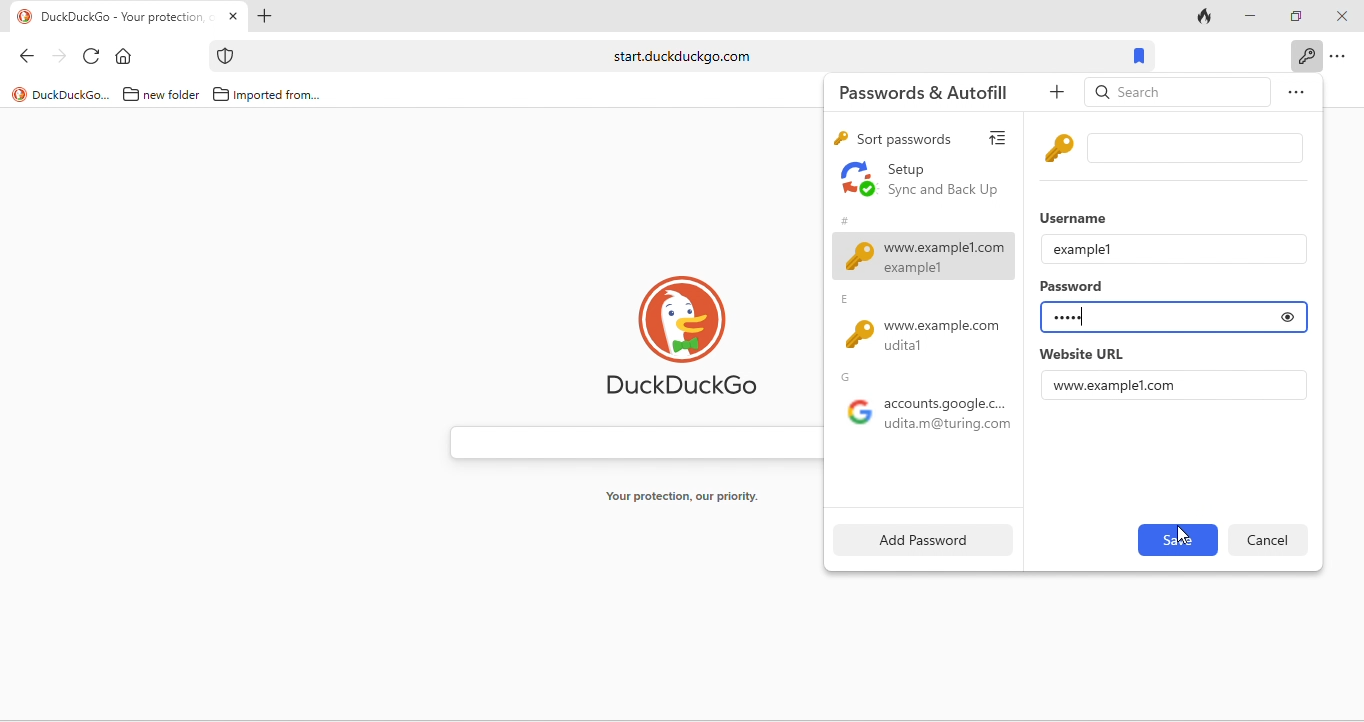 Image resolution: width=1364 pixels, height=722 pixels. I want to click on folder icon, so click(131, 94).